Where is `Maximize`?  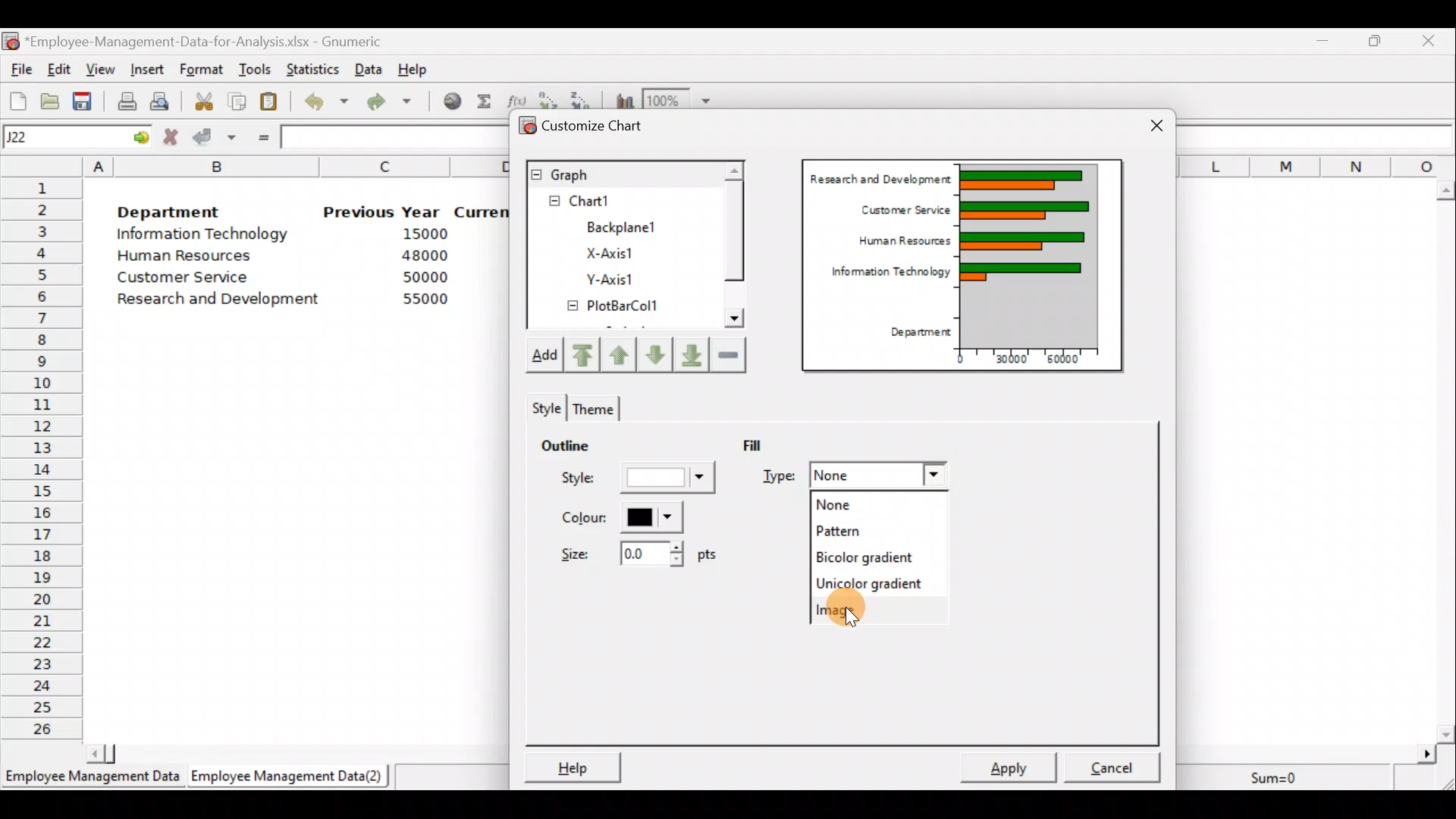 Maximize is located at coordinates (1378, 41).